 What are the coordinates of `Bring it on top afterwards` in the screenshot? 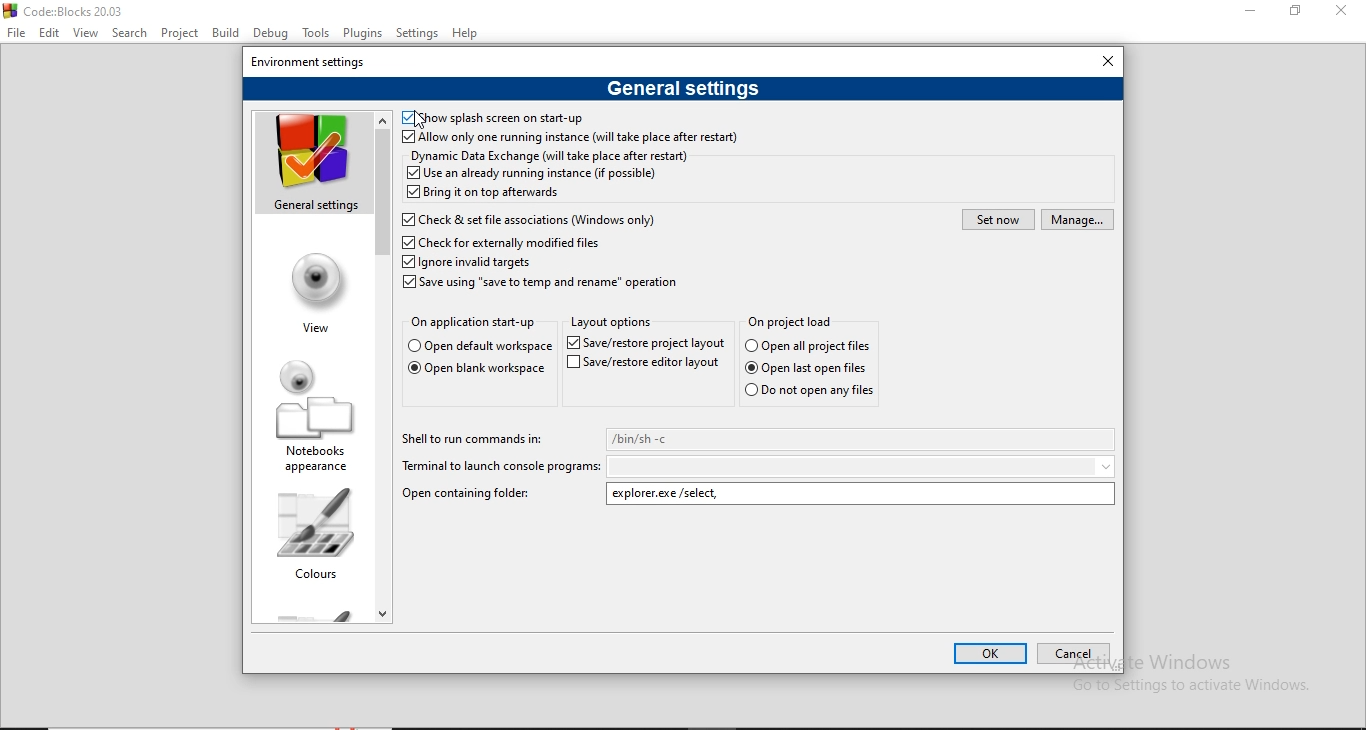 It's located at (484, 192).